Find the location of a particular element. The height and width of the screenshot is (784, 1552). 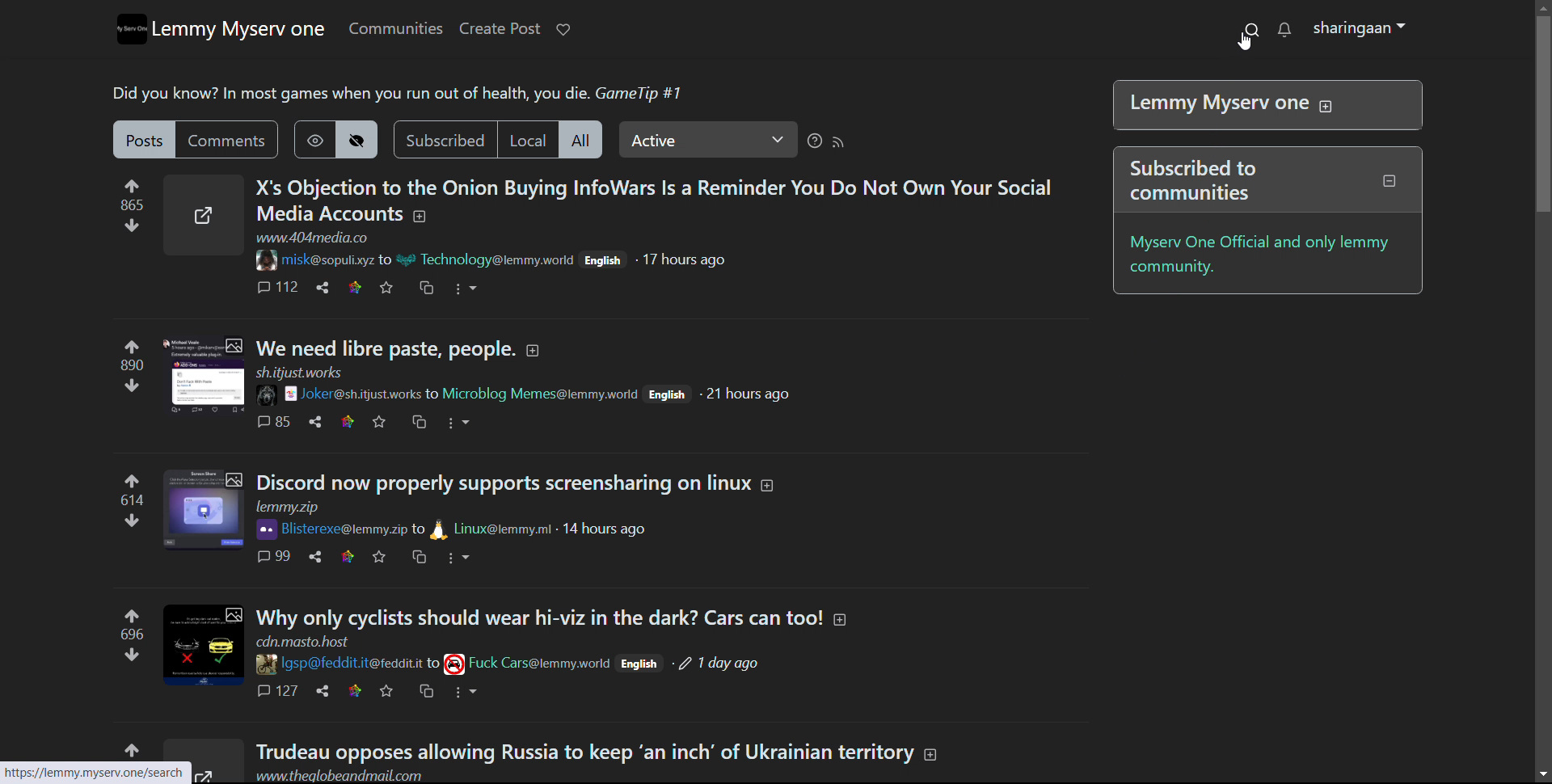

comments is located at coordinates (275, 557).